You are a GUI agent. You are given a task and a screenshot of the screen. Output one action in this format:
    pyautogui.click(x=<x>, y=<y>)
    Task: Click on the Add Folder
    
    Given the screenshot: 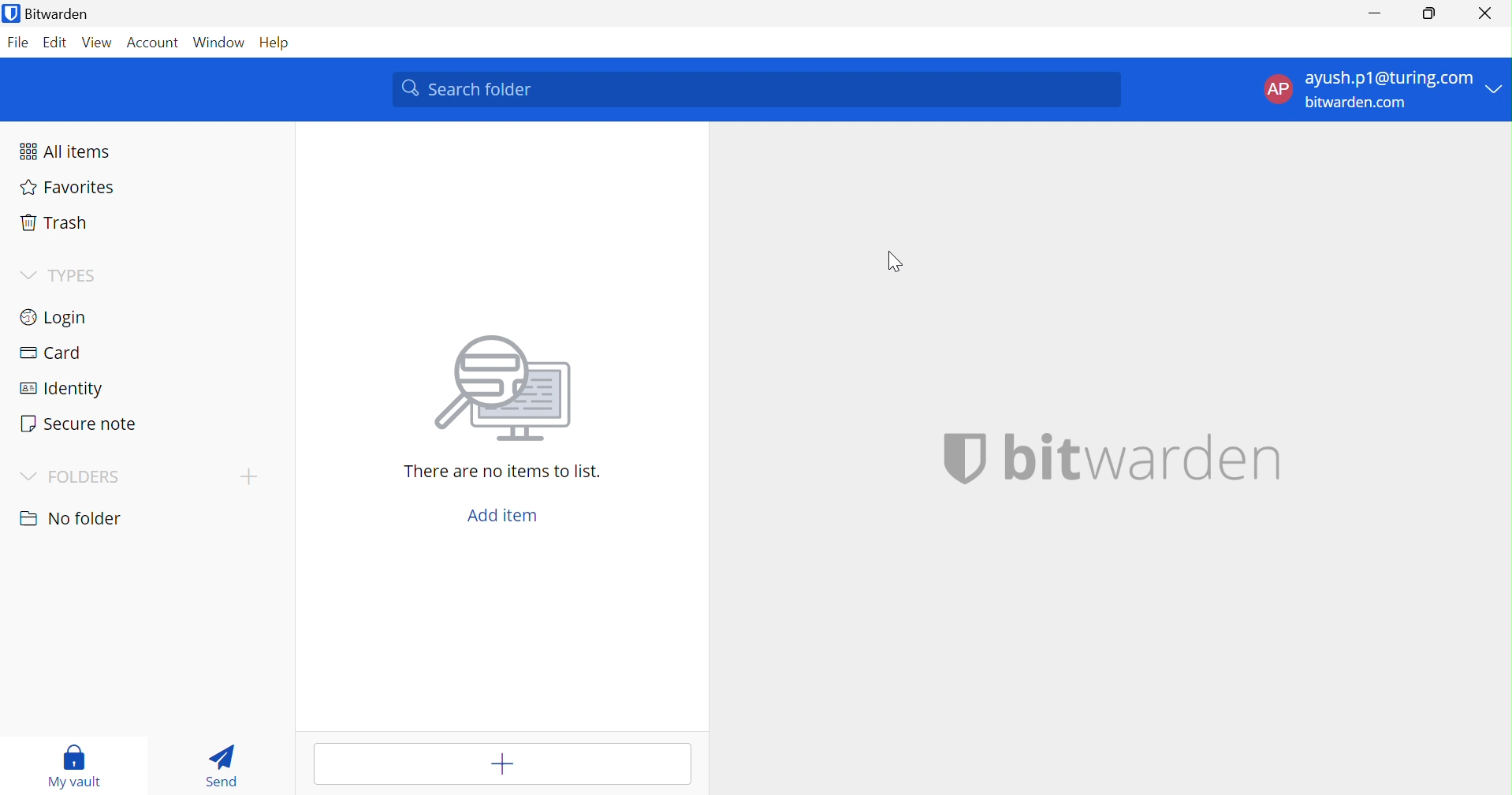 What is the action you would take?
    pyautogui.click(x=252, y=476)
    